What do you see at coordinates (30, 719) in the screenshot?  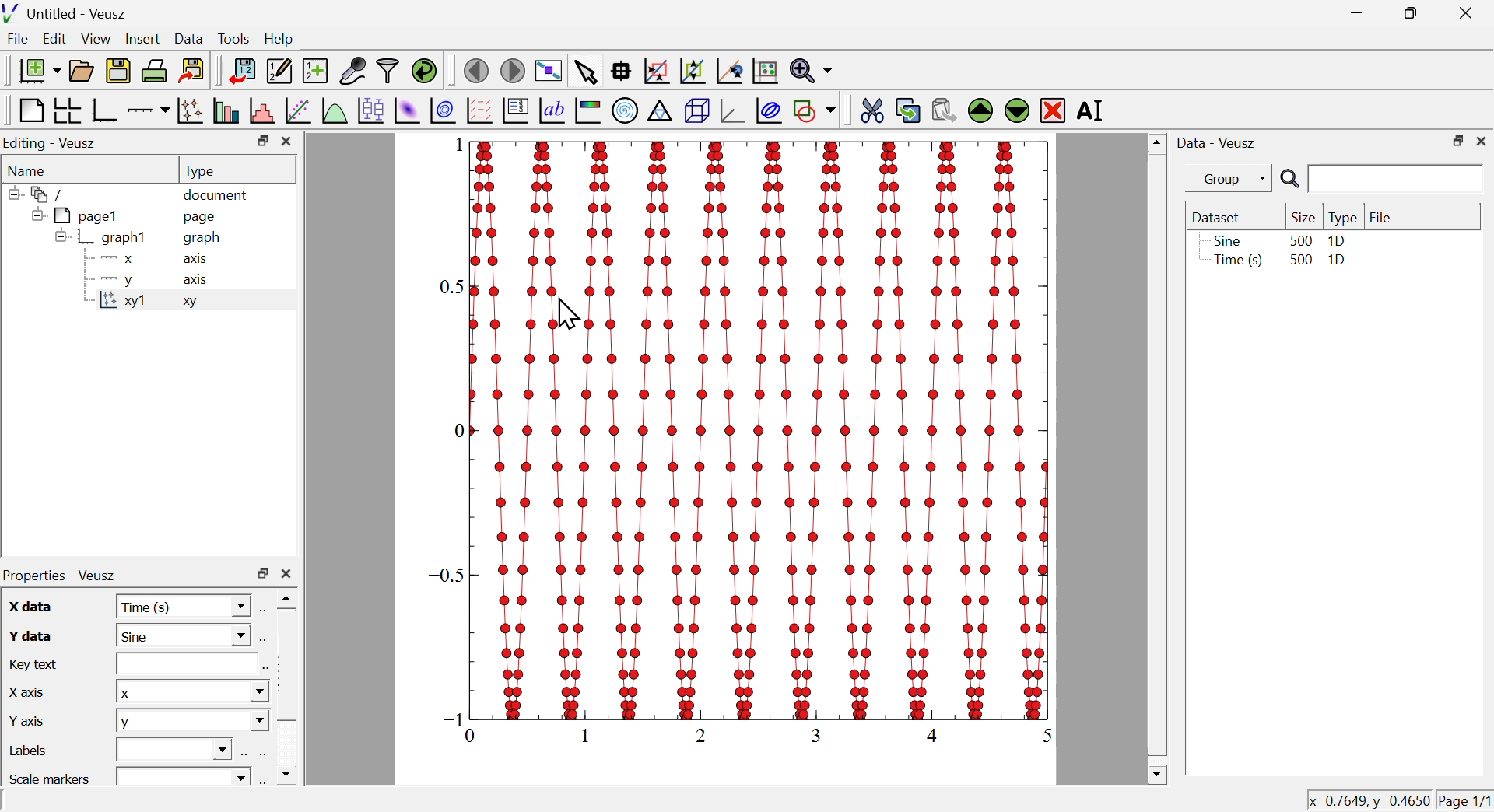 I see `y axis` at bounding box center [30, 719].